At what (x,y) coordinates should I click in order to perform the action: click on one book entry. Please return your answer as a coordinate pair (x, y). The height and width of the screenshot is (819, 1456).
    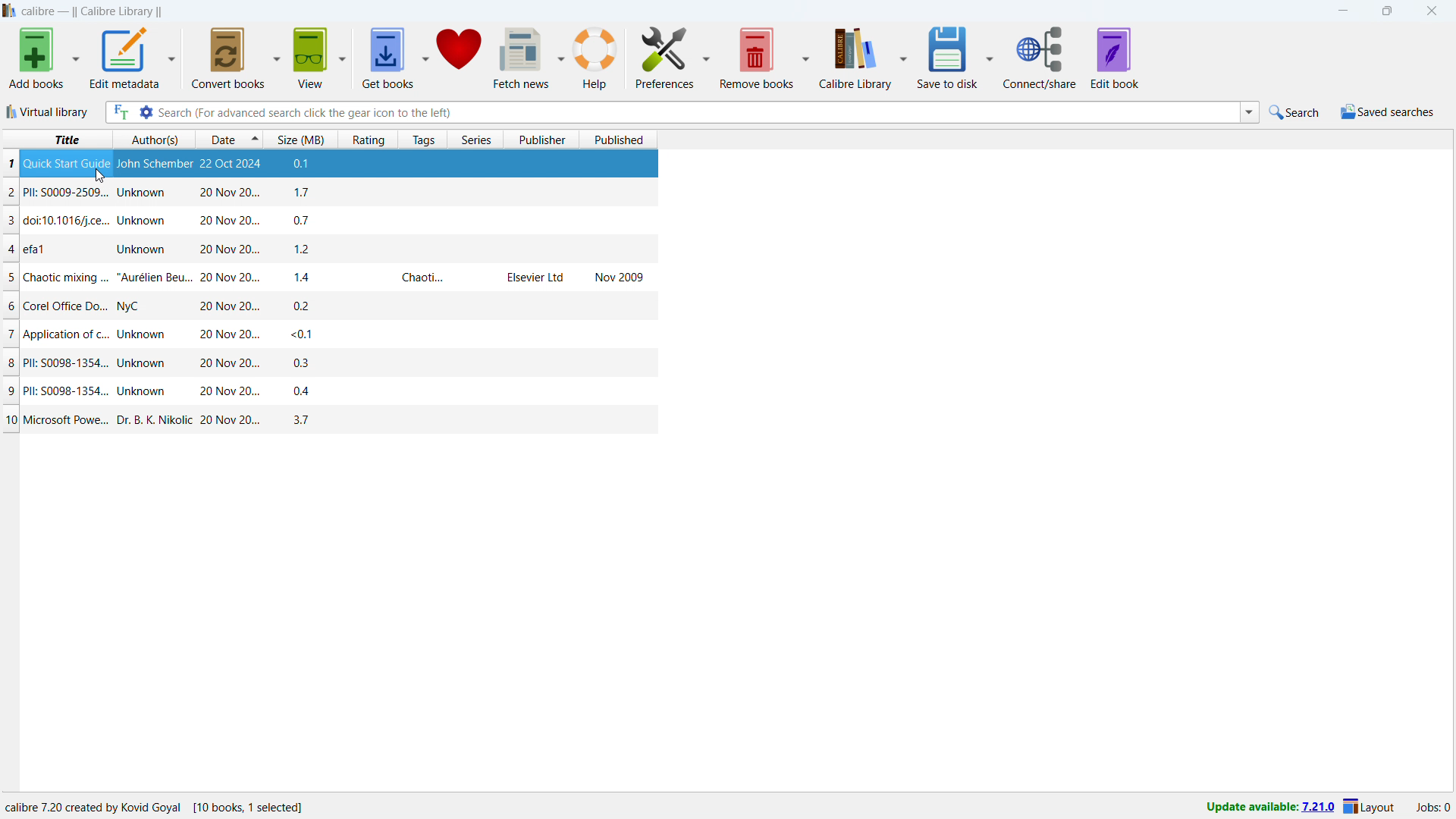
    Looking at the image, I should click on (331, 362).